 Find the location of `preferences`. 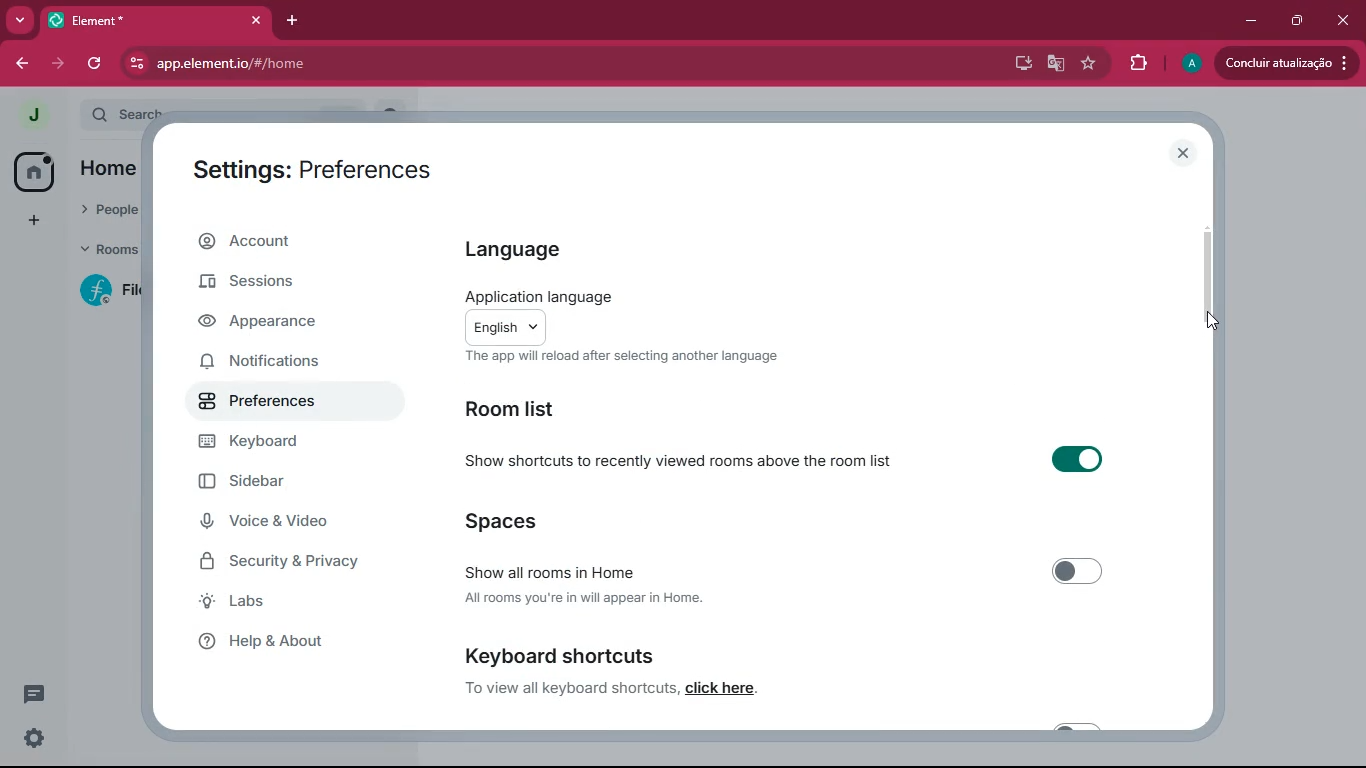

preferences is located at coordinates (274, 405).